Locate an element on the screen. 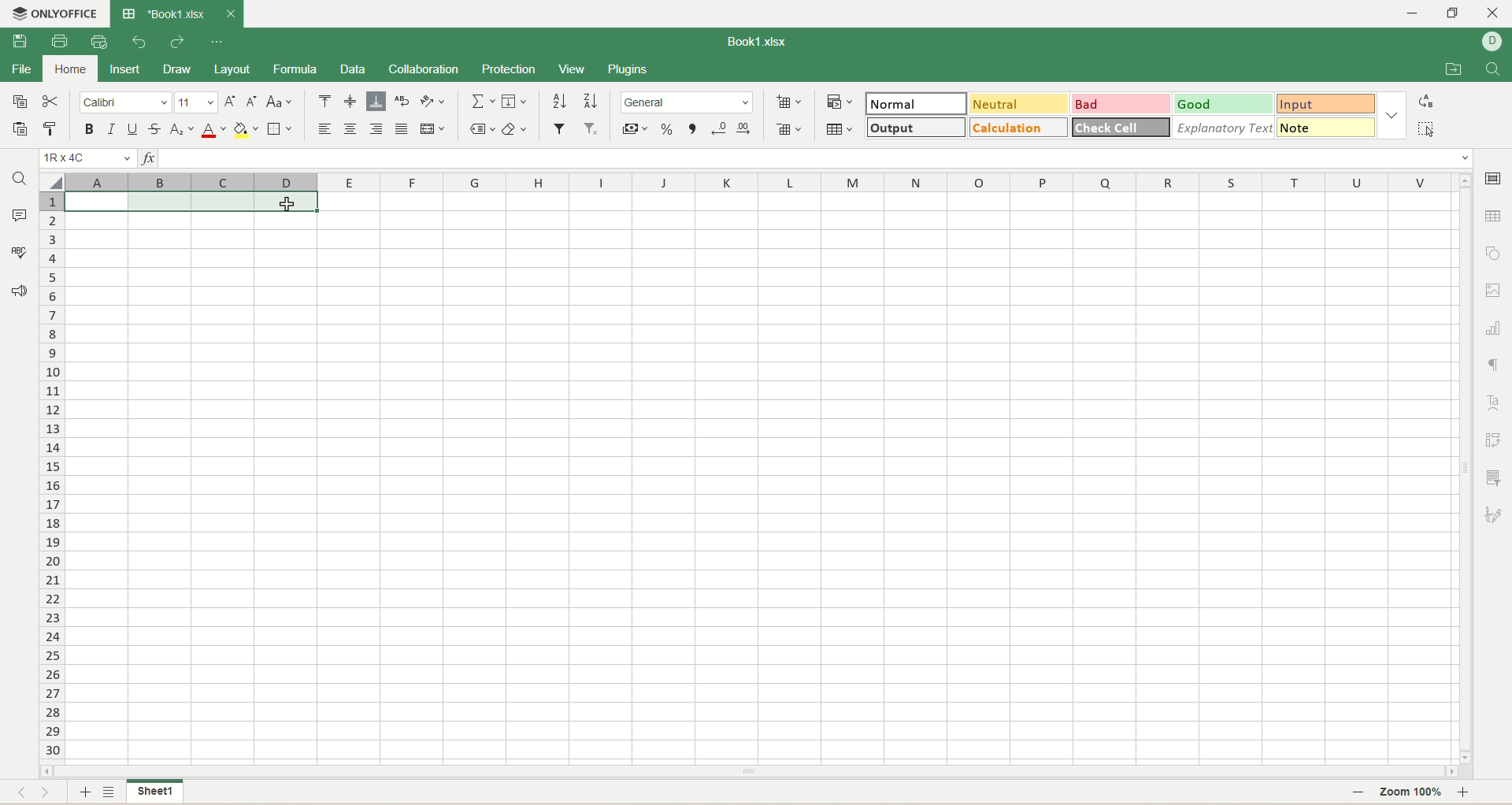 Image resolution: width=1512 pixels, height=805 pixels. table is located at coordinates (1493, 214).